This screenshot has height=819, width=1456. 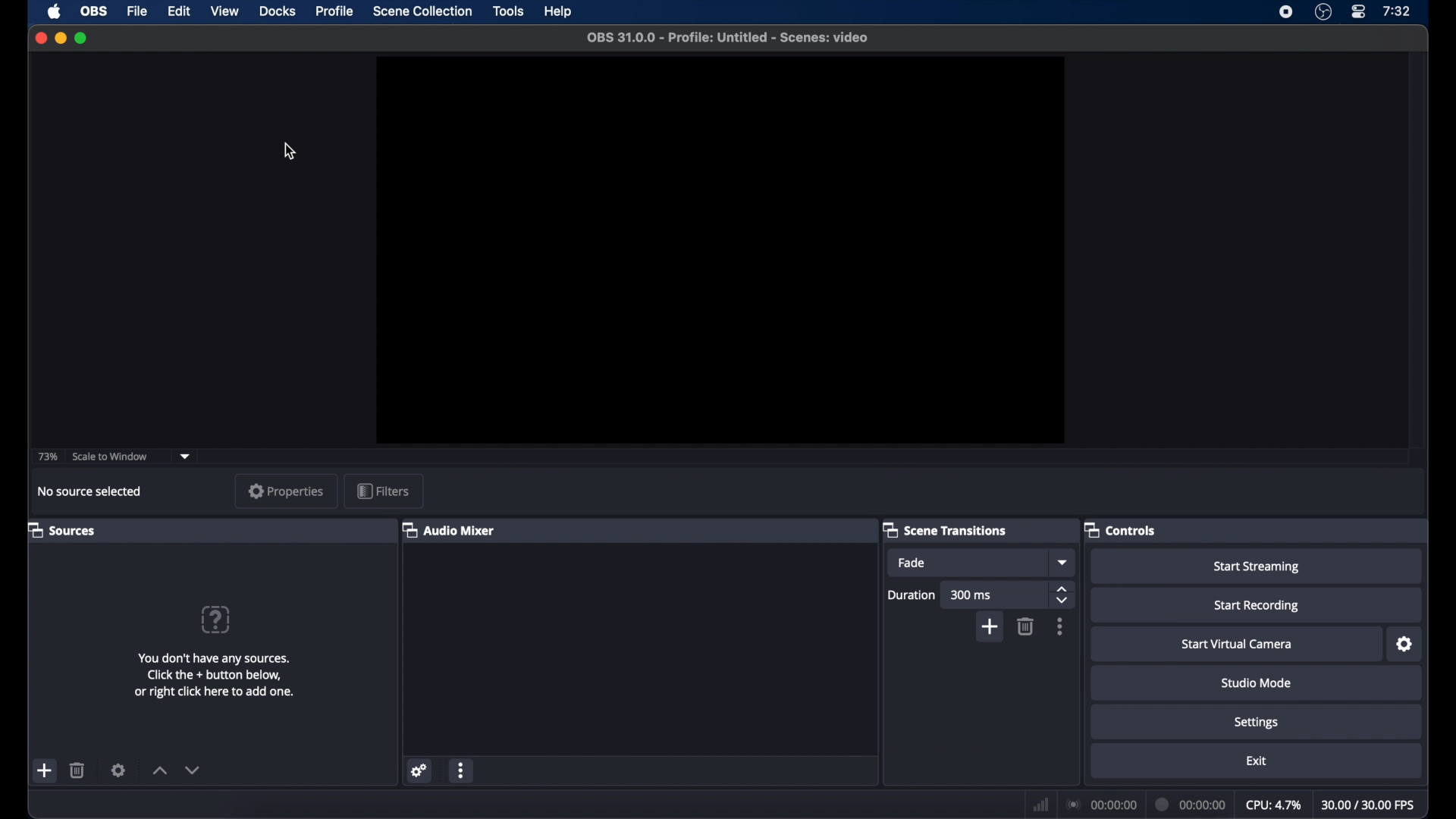 I want to click on close, so click(x=42, y=37).